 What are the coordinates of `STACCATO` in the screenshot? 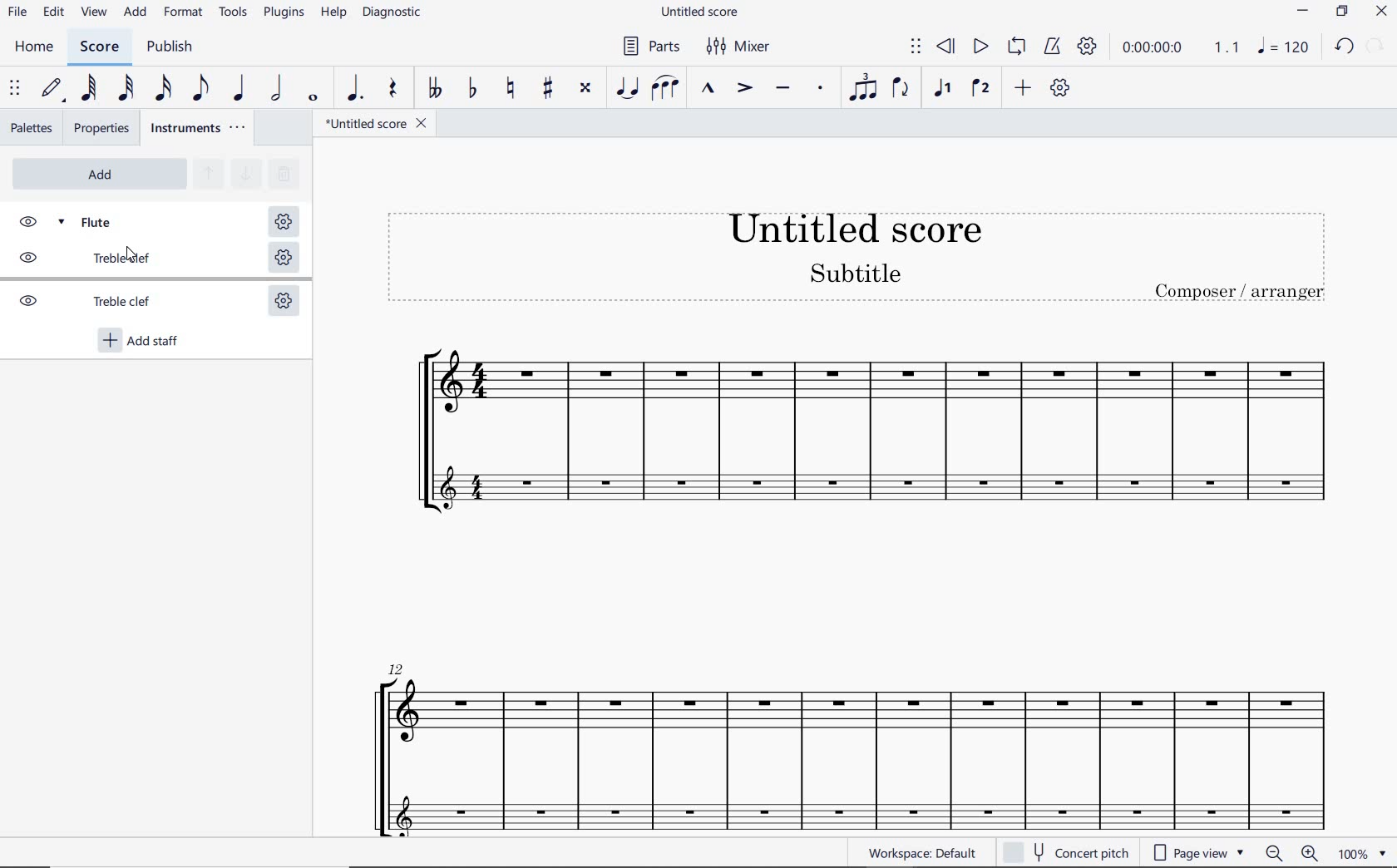 It's located at (818, 88).